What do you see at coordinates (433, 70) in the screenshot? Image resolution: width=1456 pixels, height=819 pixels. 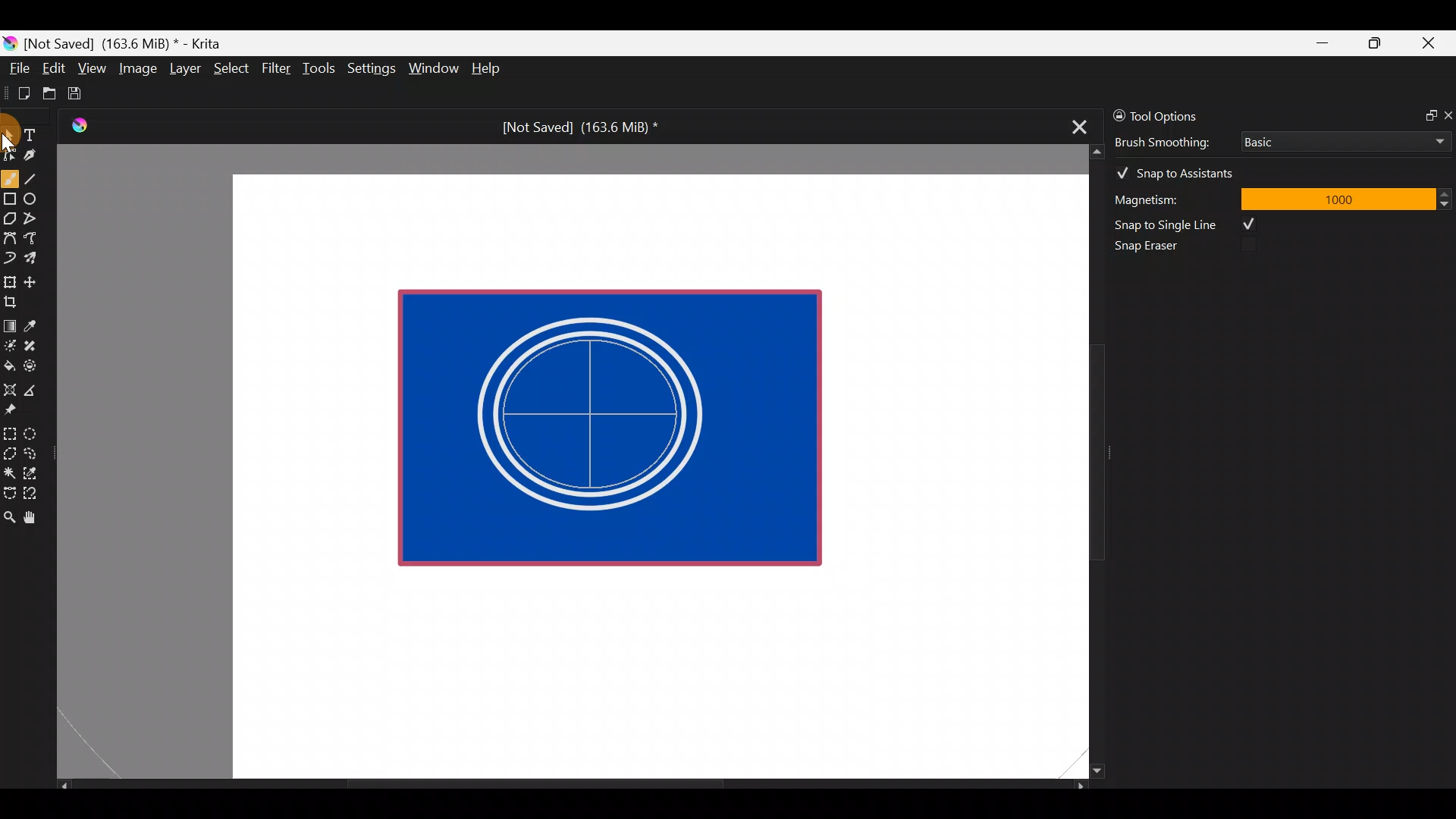 I see `Window` at bounding box center [433, 70].